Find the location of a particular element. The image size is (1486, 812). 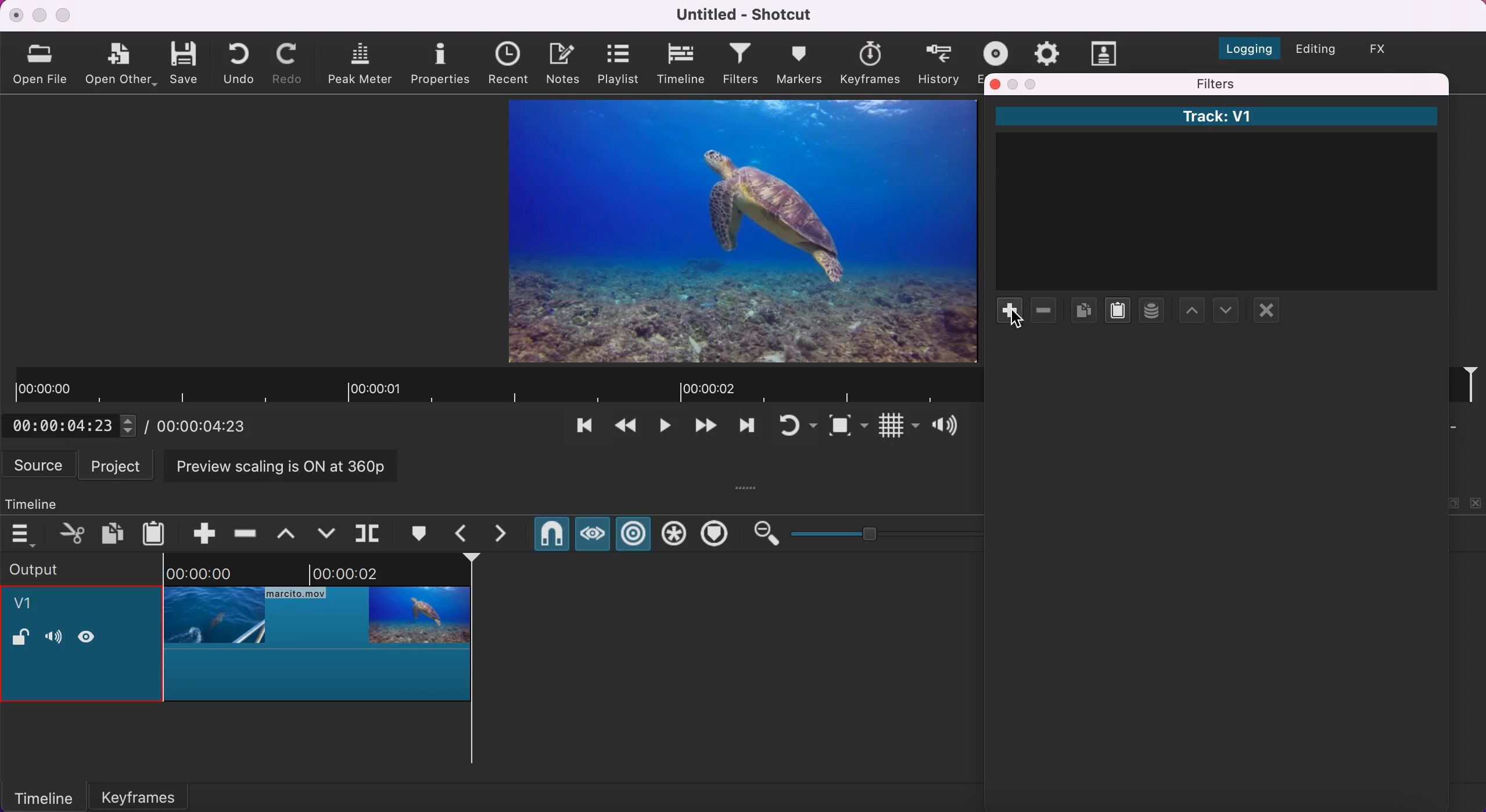

open other is located at coordinates (121, 65).